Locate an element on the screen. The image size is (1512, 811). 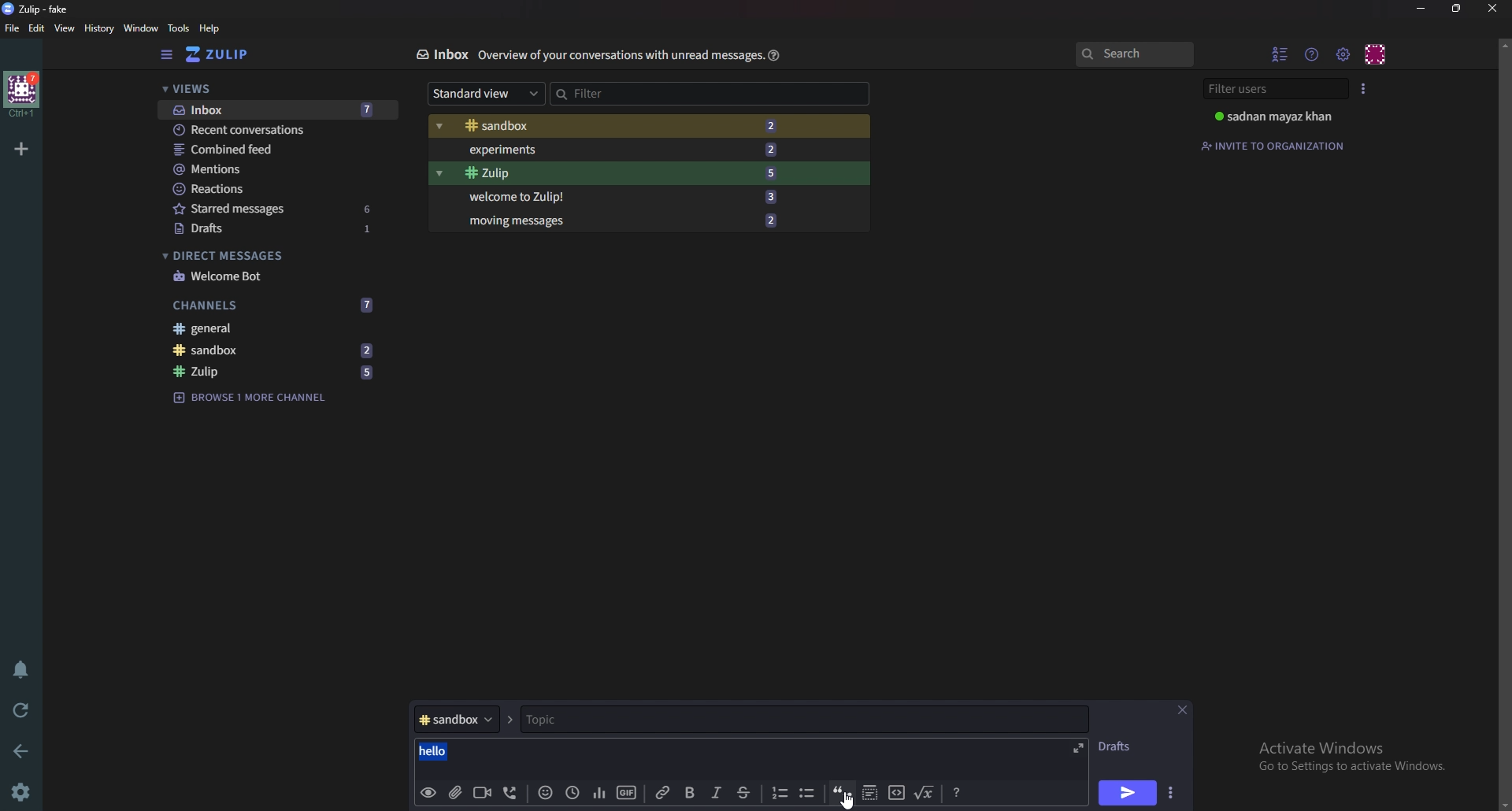
Enable do not disturb is located at coordinates (19, 670).